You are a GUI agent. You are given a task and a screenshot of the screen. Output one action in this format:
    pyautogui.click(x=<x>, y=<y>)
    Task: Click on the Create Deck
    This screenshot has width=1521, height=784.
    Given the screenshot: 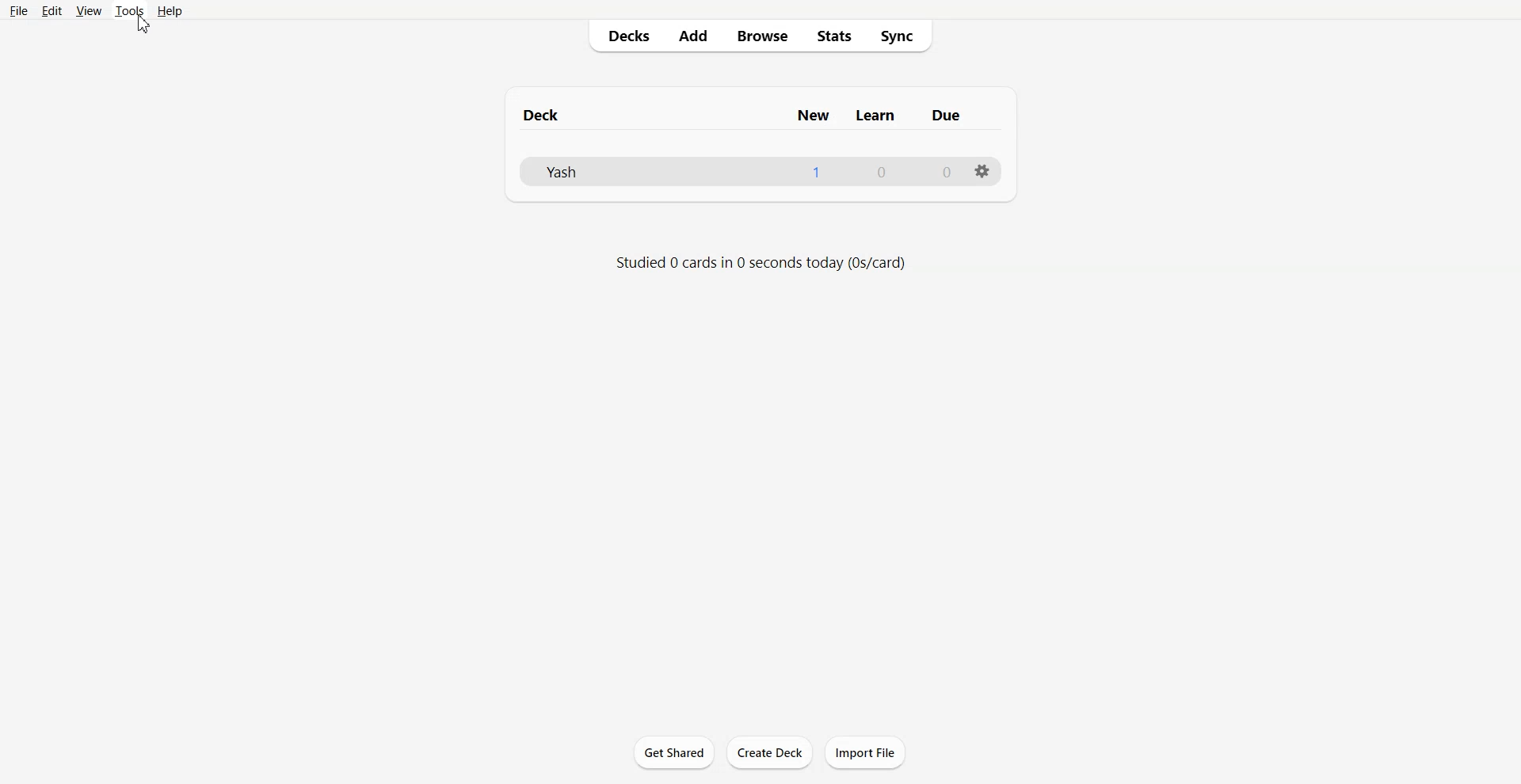 What is the action you would take?
    pyautogui.click(x=769, y=752)
    